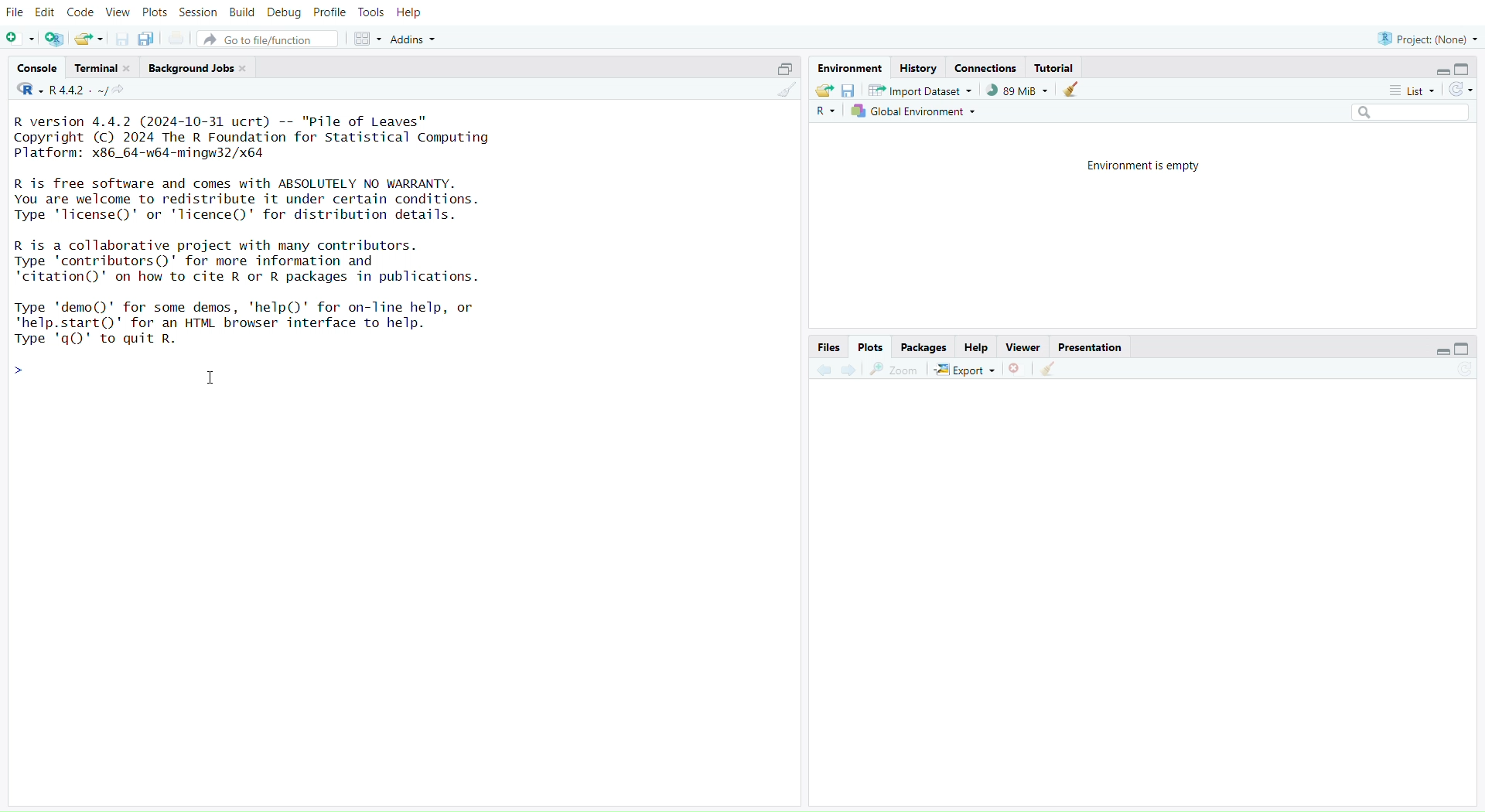 The width and height of the screenshot is (1485, 812). Describe the element at coordinates (830, 111) in the screenshot. I see `R` at that location.